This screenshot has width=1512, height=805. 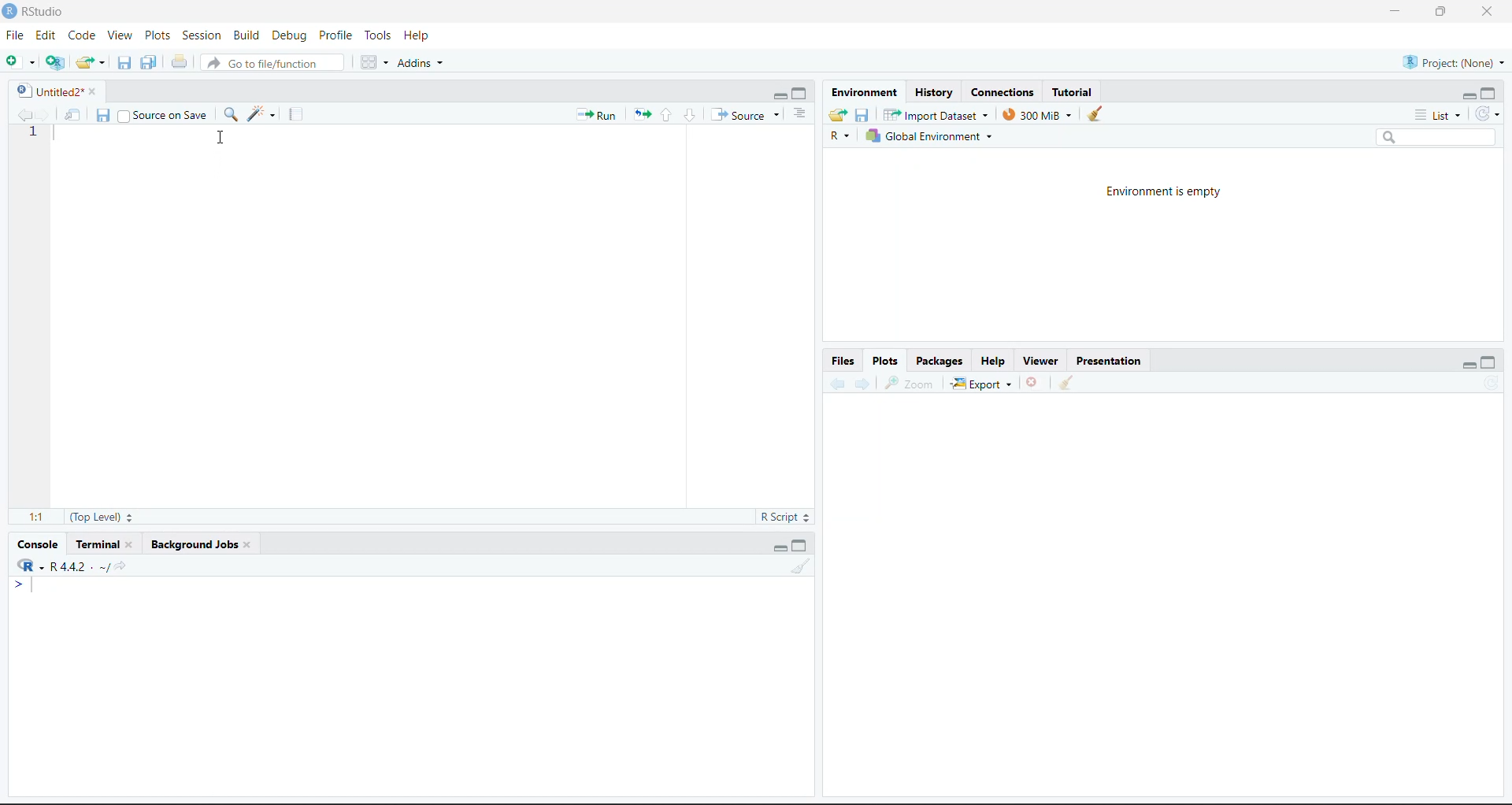 What do you see at coordinates (1032, 382) in the screenshot?
I see `clear current plots` at bounding box center [1032, 382].